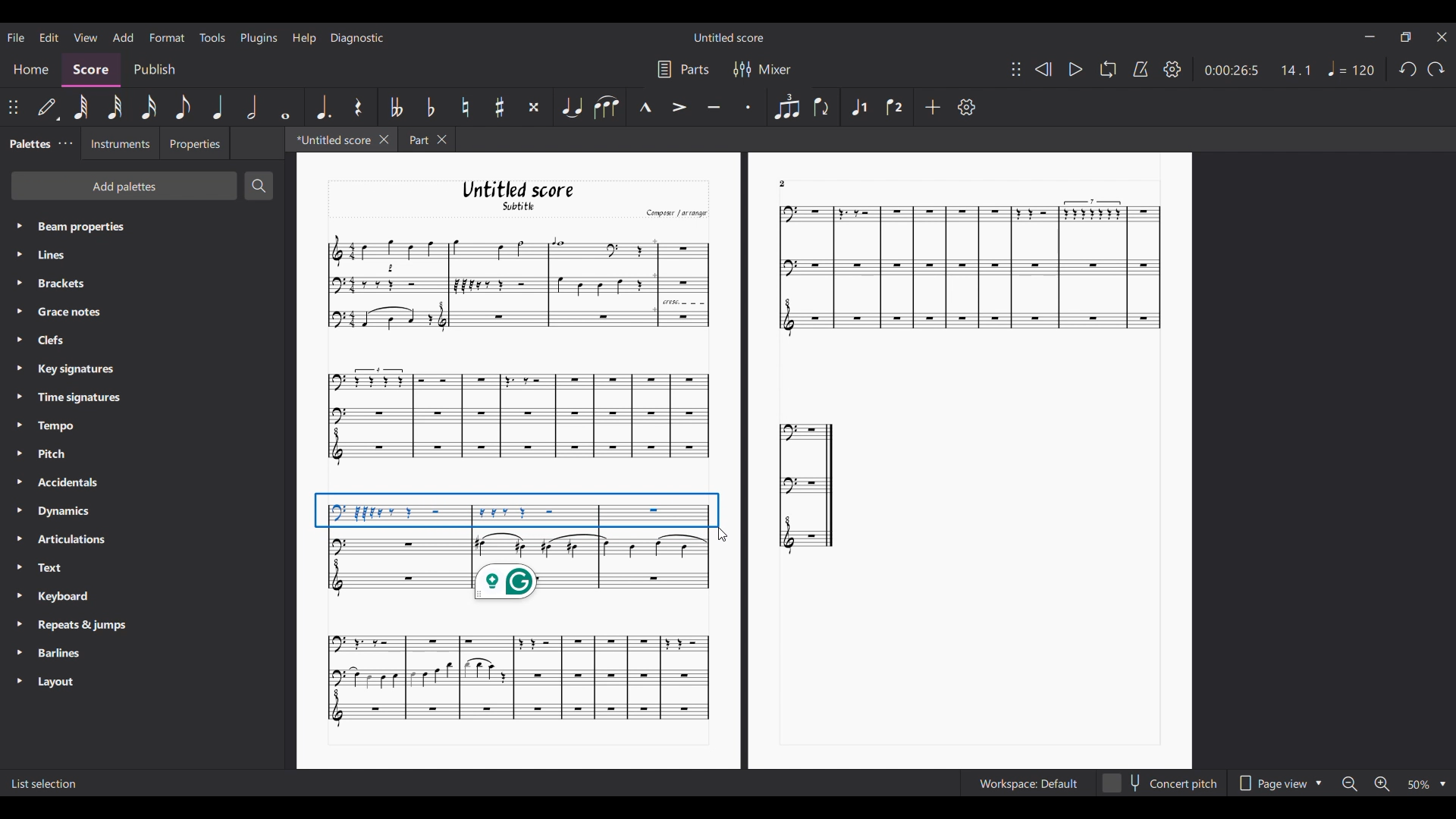 The width and height of the screenshot is (1456, 819). What do you see at coordinates (45, 784) in the screenshot?
I see `List selection` at bounding box center [45, 784].